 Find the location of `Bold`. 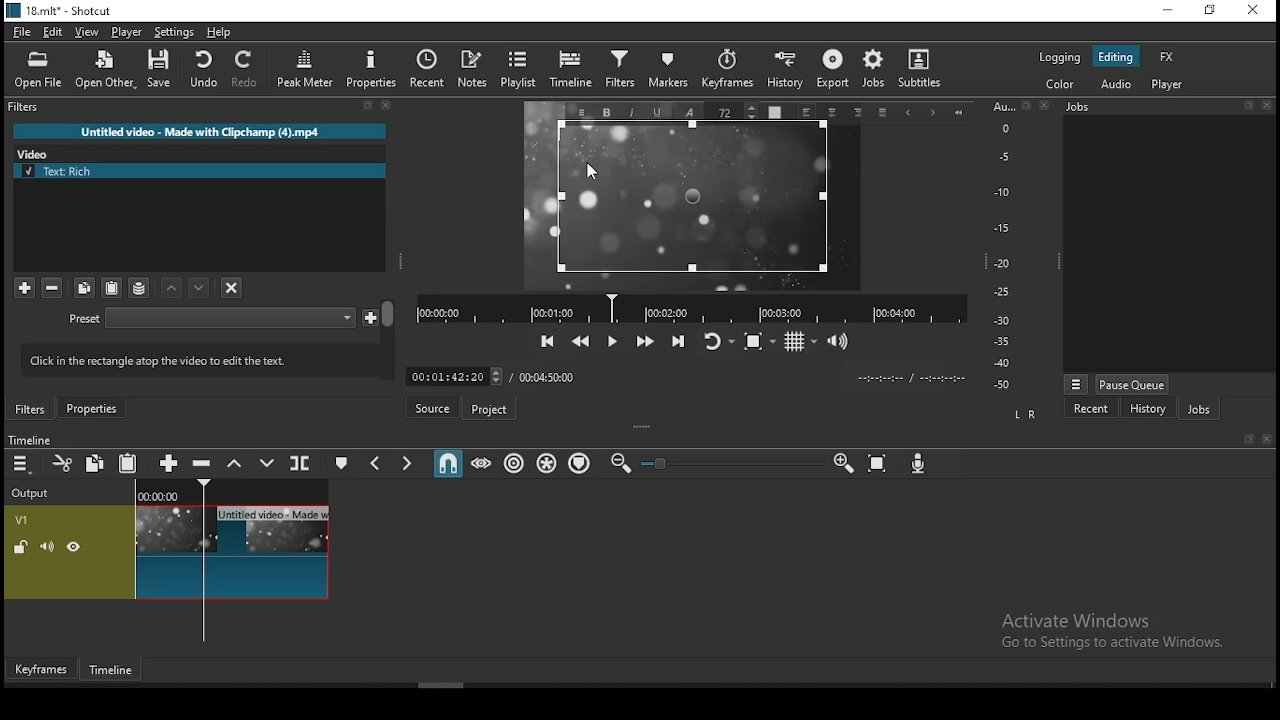

Bold is located at coordinates (606, 113).